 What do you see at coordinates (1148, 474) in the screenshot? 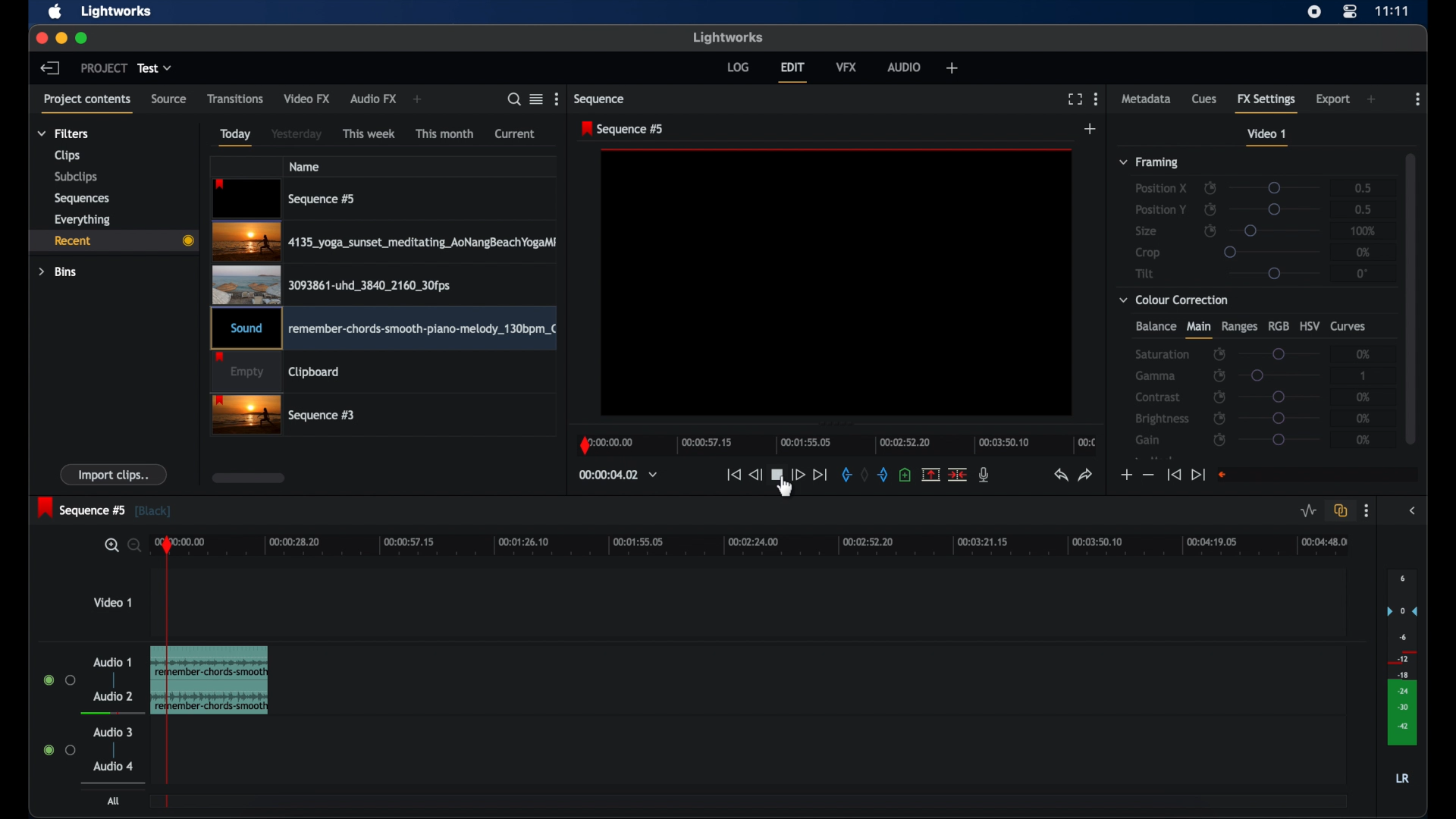
I see `decrement` at bounding box center [1148, 474].